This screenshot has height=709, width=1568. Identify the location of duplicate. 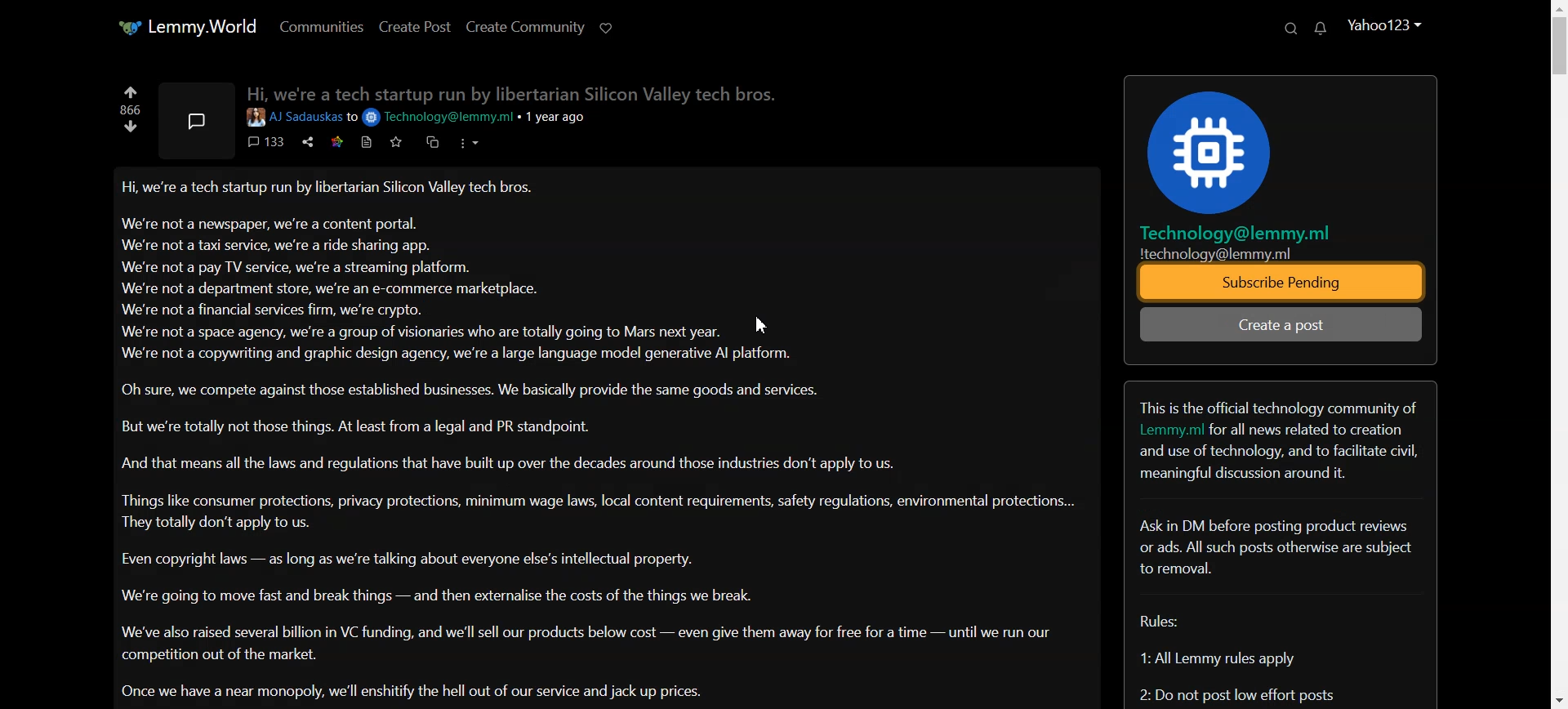
(431, 143).